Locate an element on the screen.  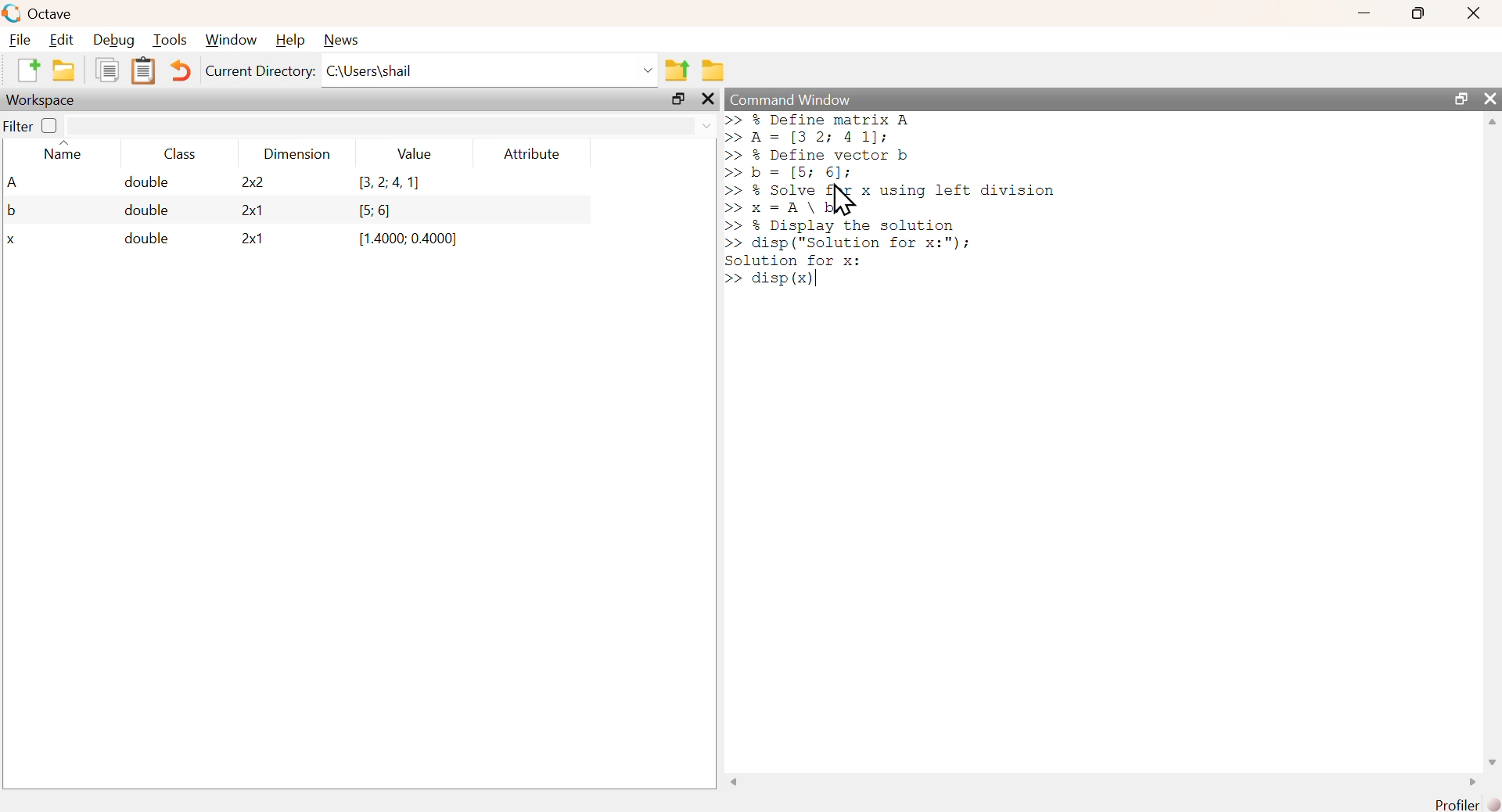
[5: 6] is located at coordinates (369, 210).